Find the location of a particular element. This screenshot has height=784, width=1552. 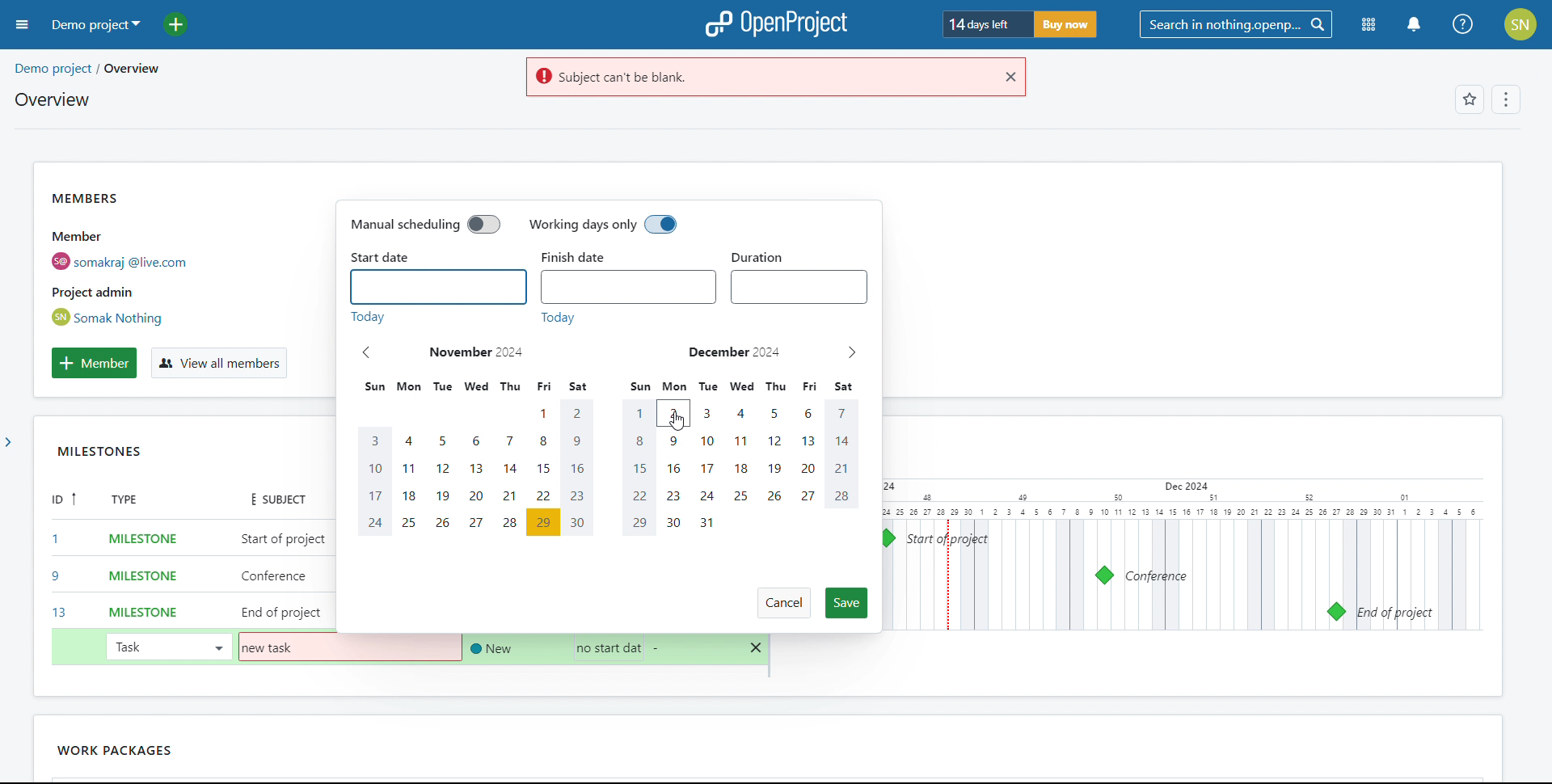

working days only is located at coordinates (604, 226).